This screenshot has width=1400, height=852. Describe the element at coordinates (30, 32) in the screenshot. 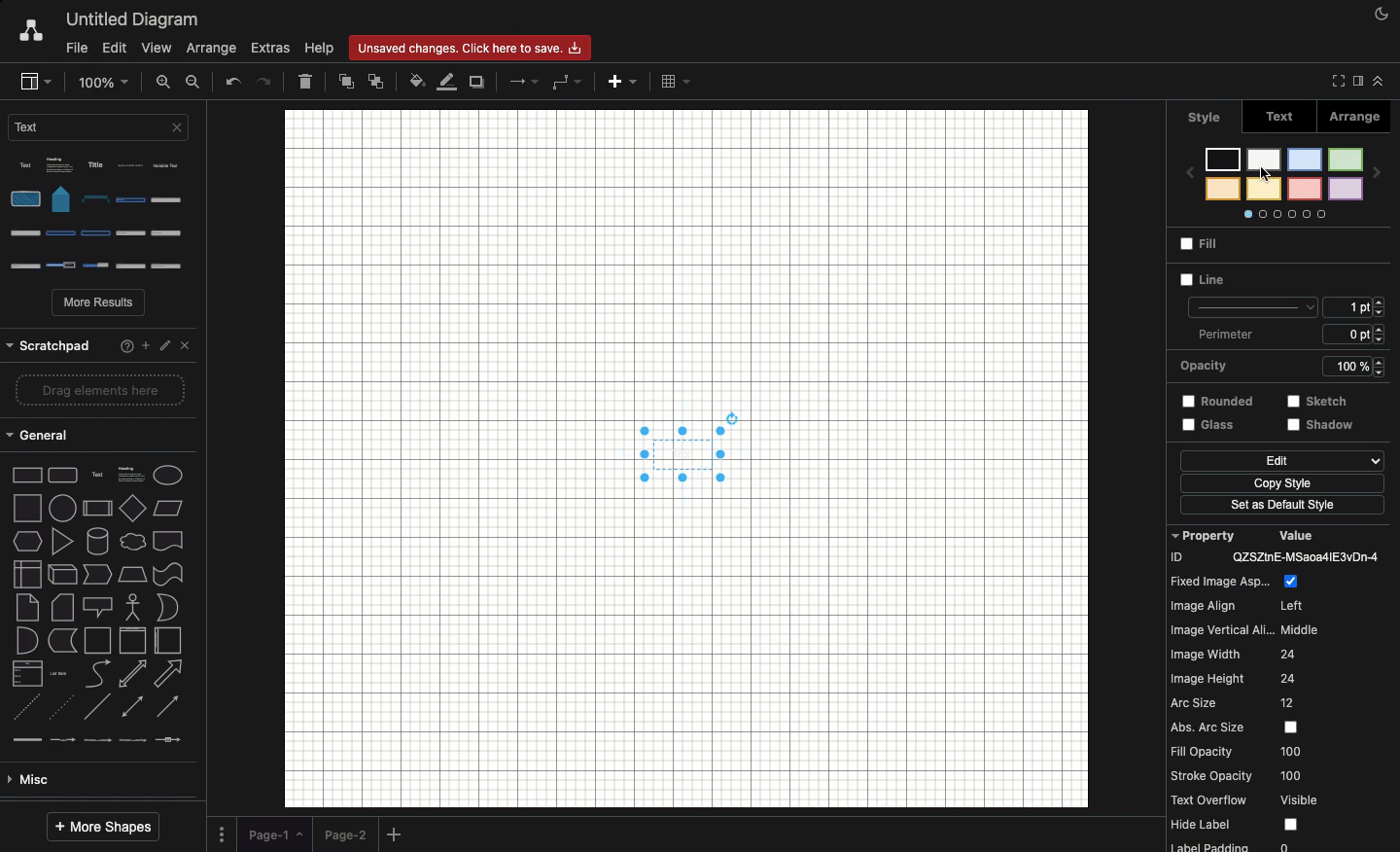

I see `Draw.io` at that location.